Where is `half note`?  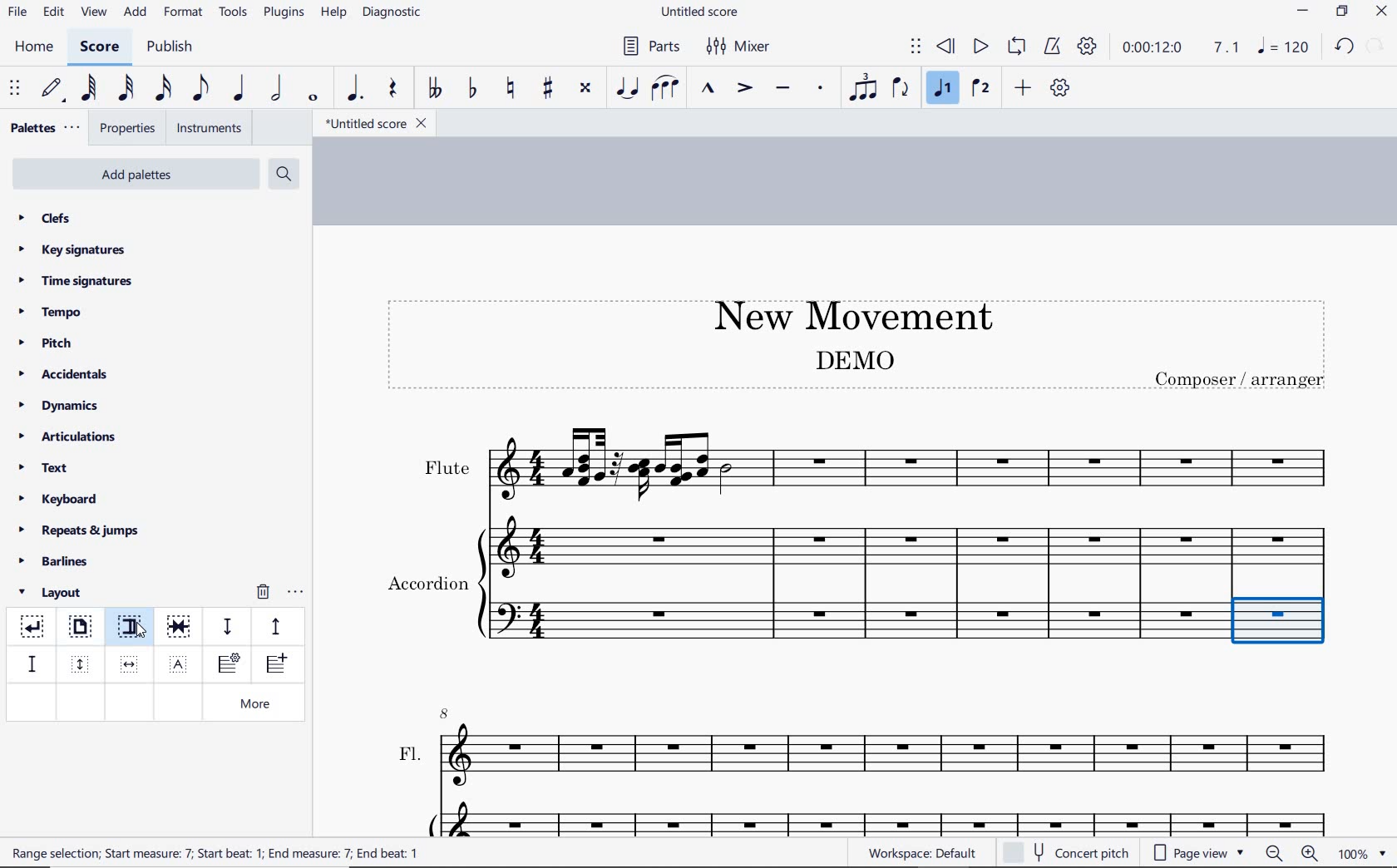 half note is located at coordinates (276, 89).